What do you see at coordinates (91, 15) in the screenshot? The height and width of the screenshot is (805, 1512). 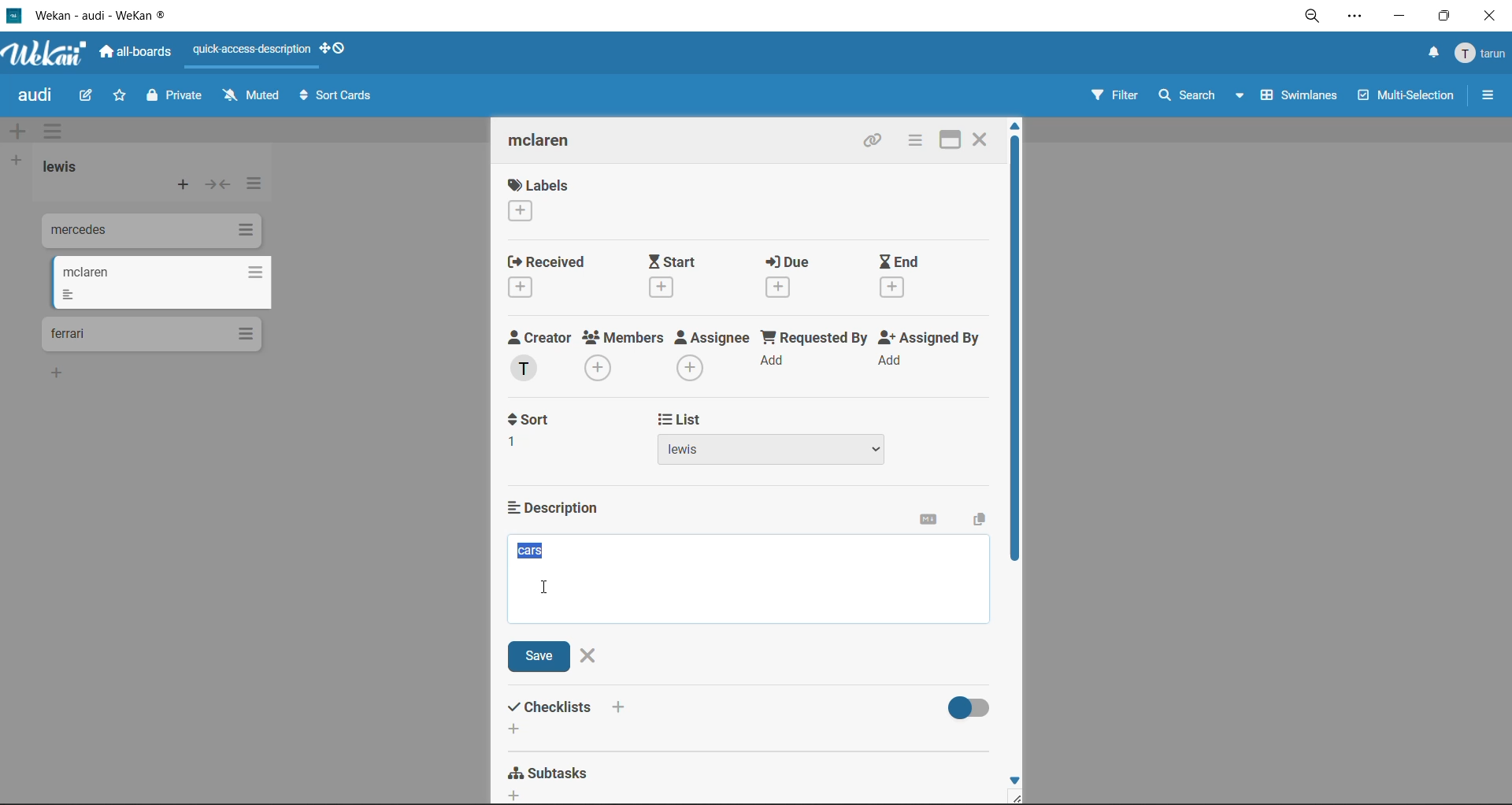 I see `app title` at bounding box center [91, 15].